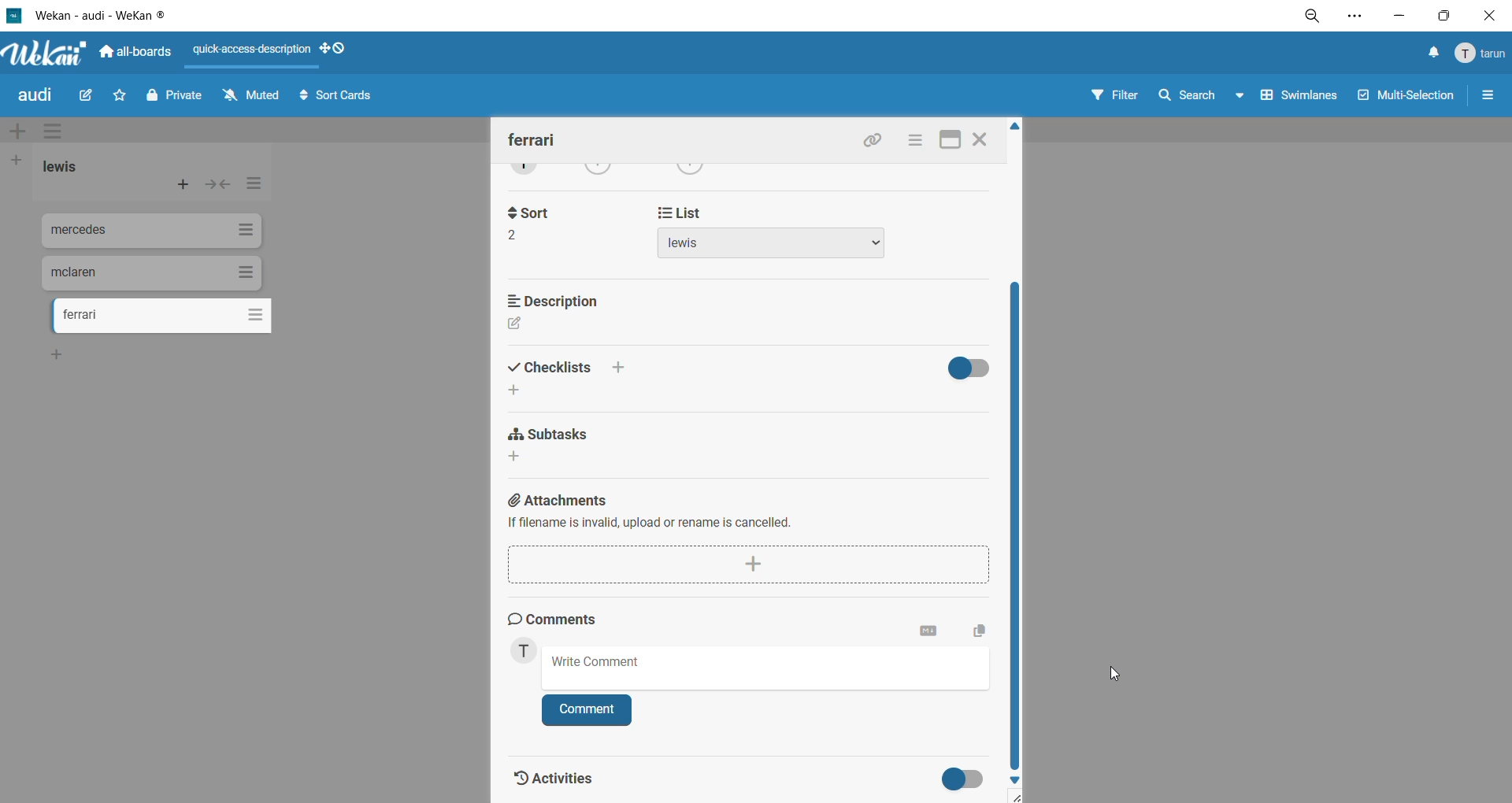  What do you see at coordinates (1114, 675) in the screenshot?
I see `cursor` at bounding box center [1114, 675].